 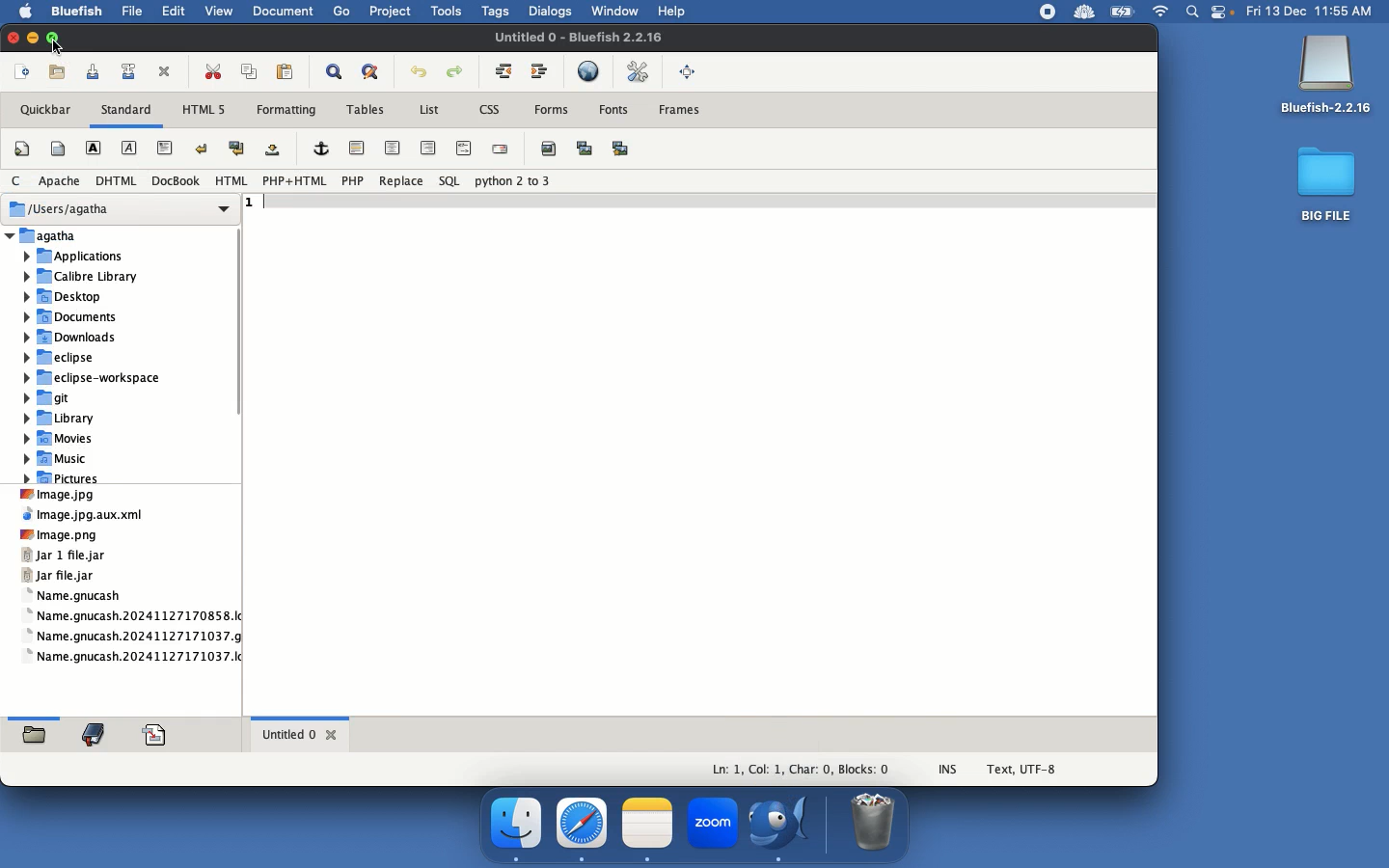 I want to click on Body, so click(x=58, y=148).